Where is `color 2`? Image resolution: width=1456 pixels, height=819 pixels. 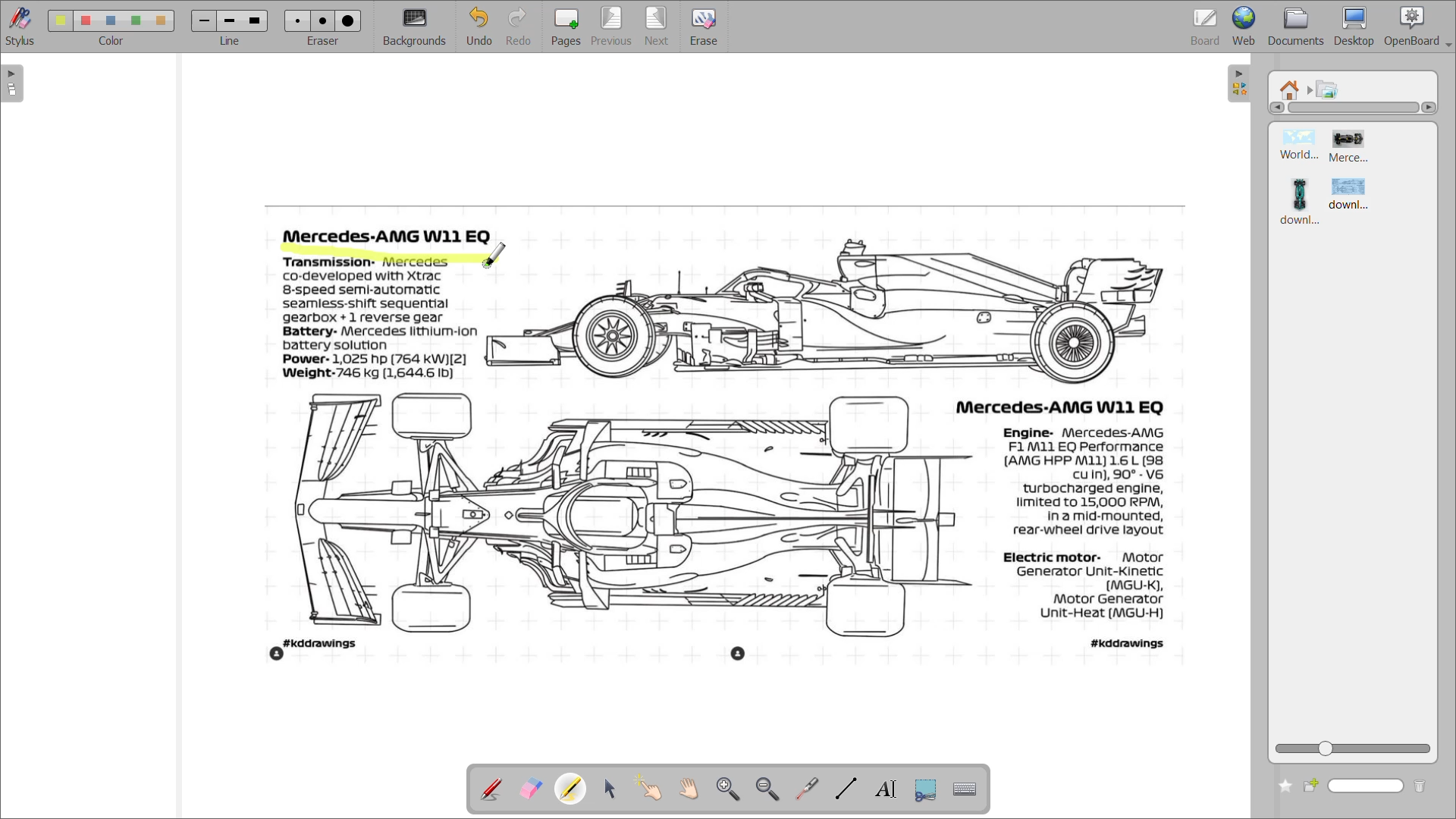
color 2 is located at coordinates (85, 20).